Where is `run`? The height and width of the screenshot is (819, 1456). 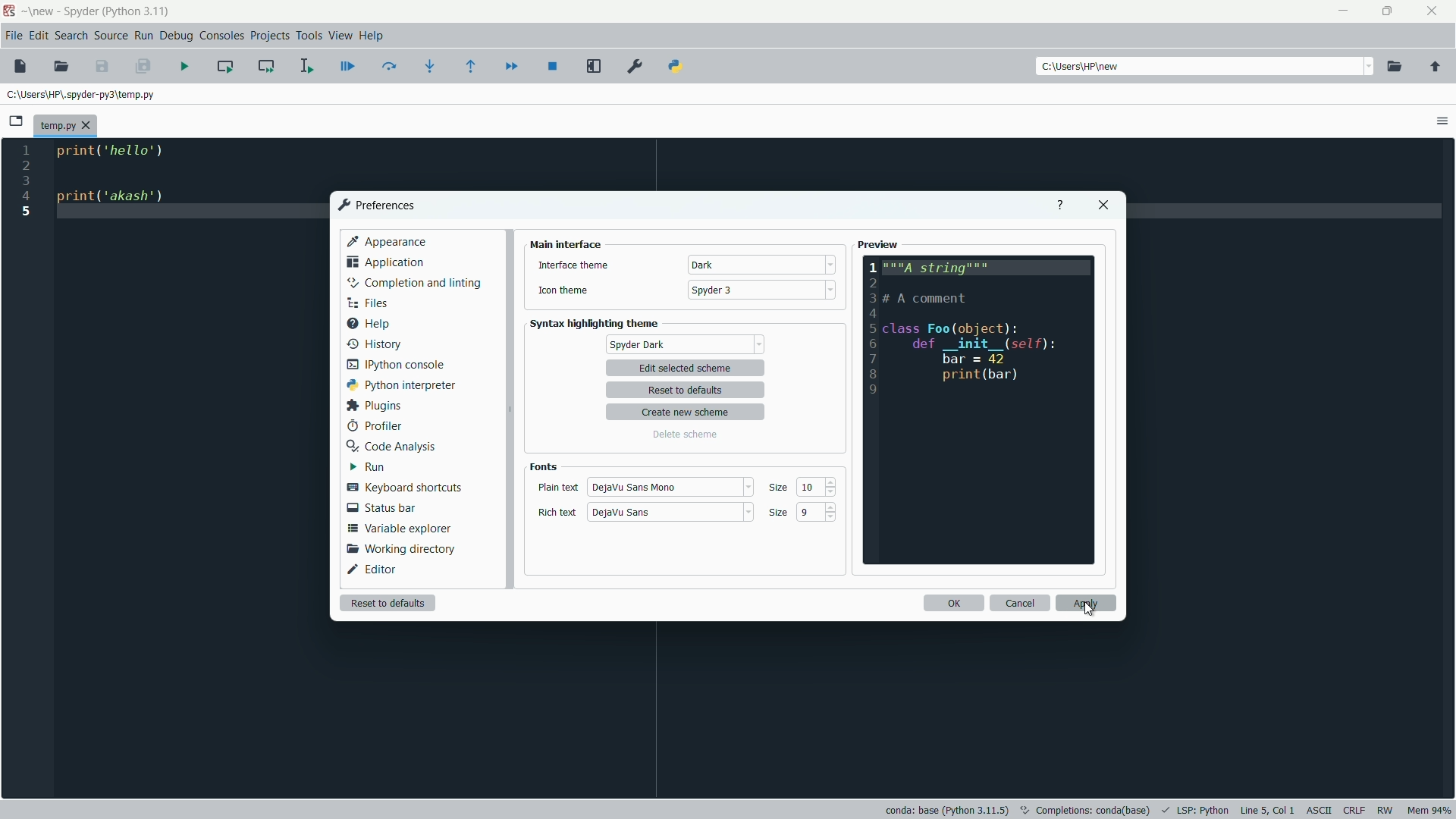
run is located at coordinates (366, 467).